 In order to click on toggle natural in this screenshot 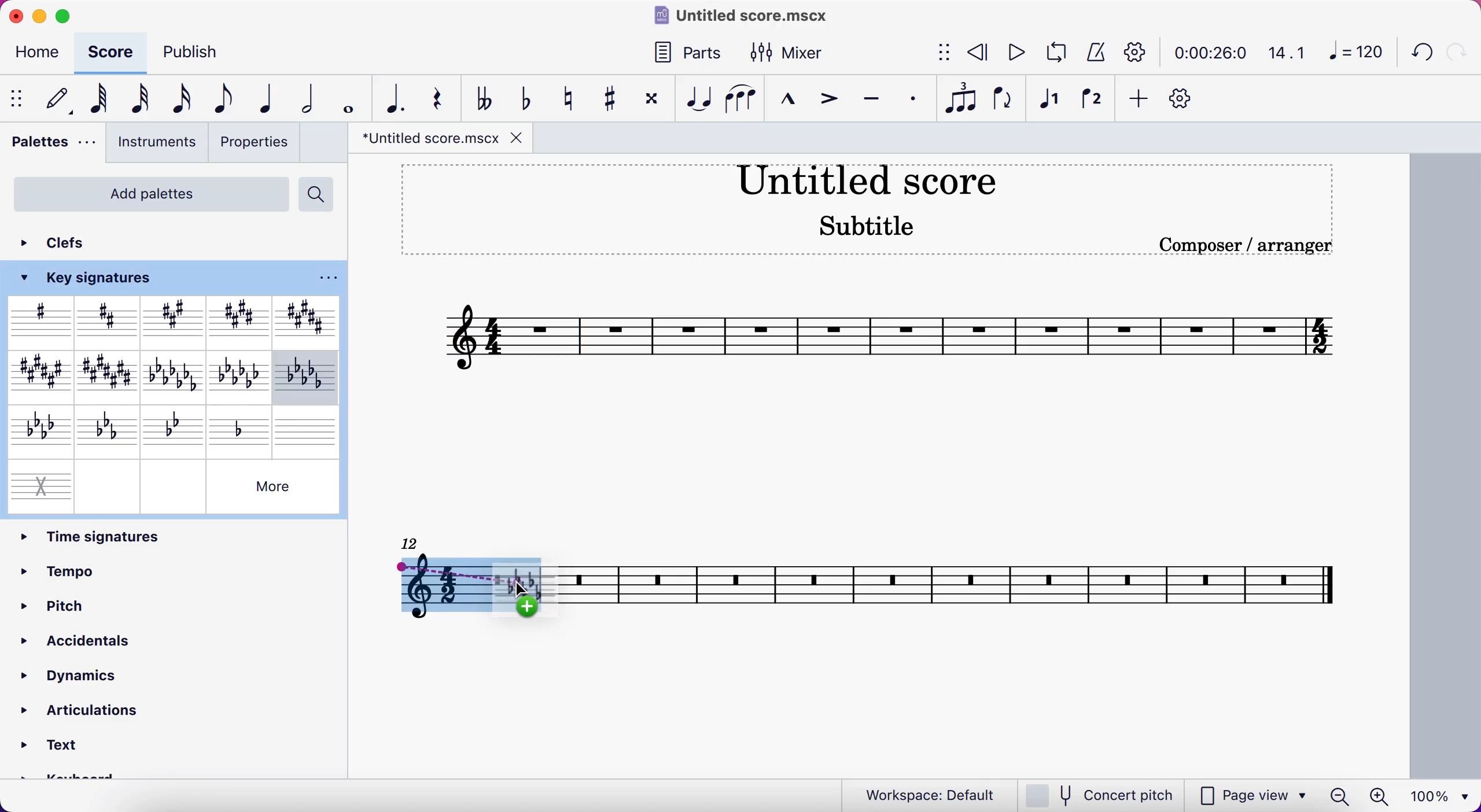, I will do `click(571, 101)`.